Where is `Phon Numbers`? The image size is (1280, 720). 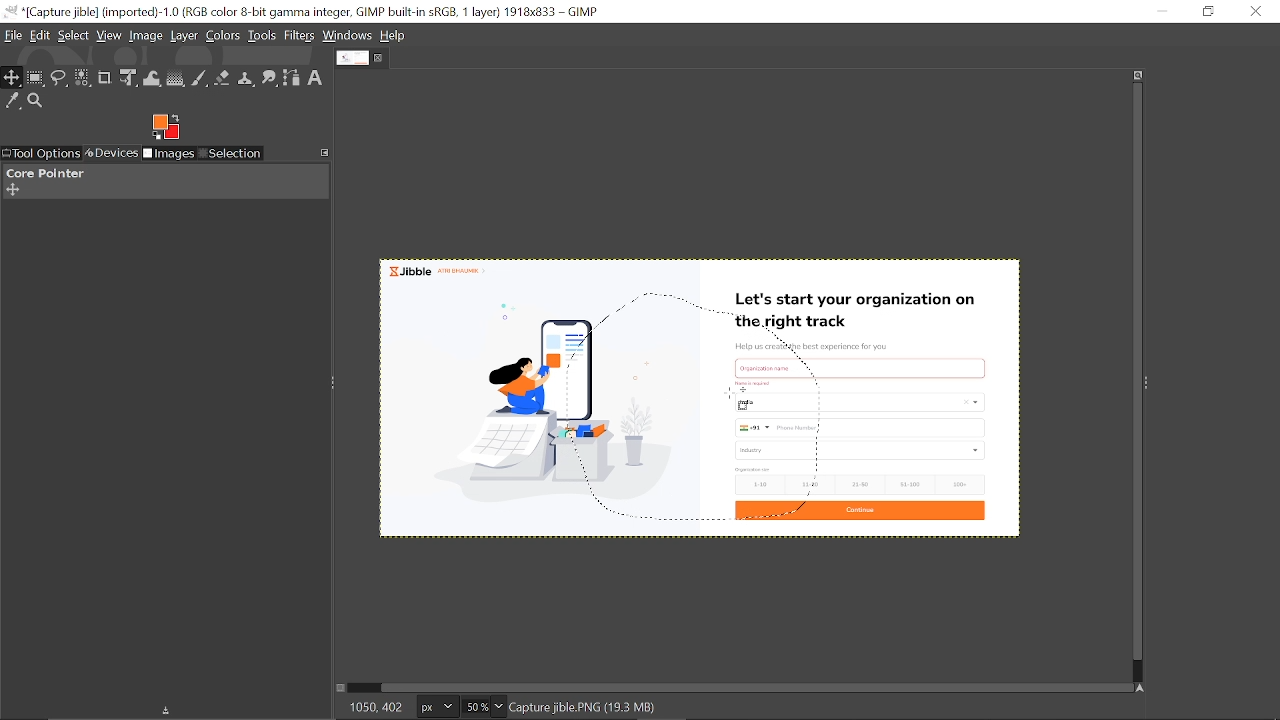
Phon Numbers is located at coordinates (861, 428).